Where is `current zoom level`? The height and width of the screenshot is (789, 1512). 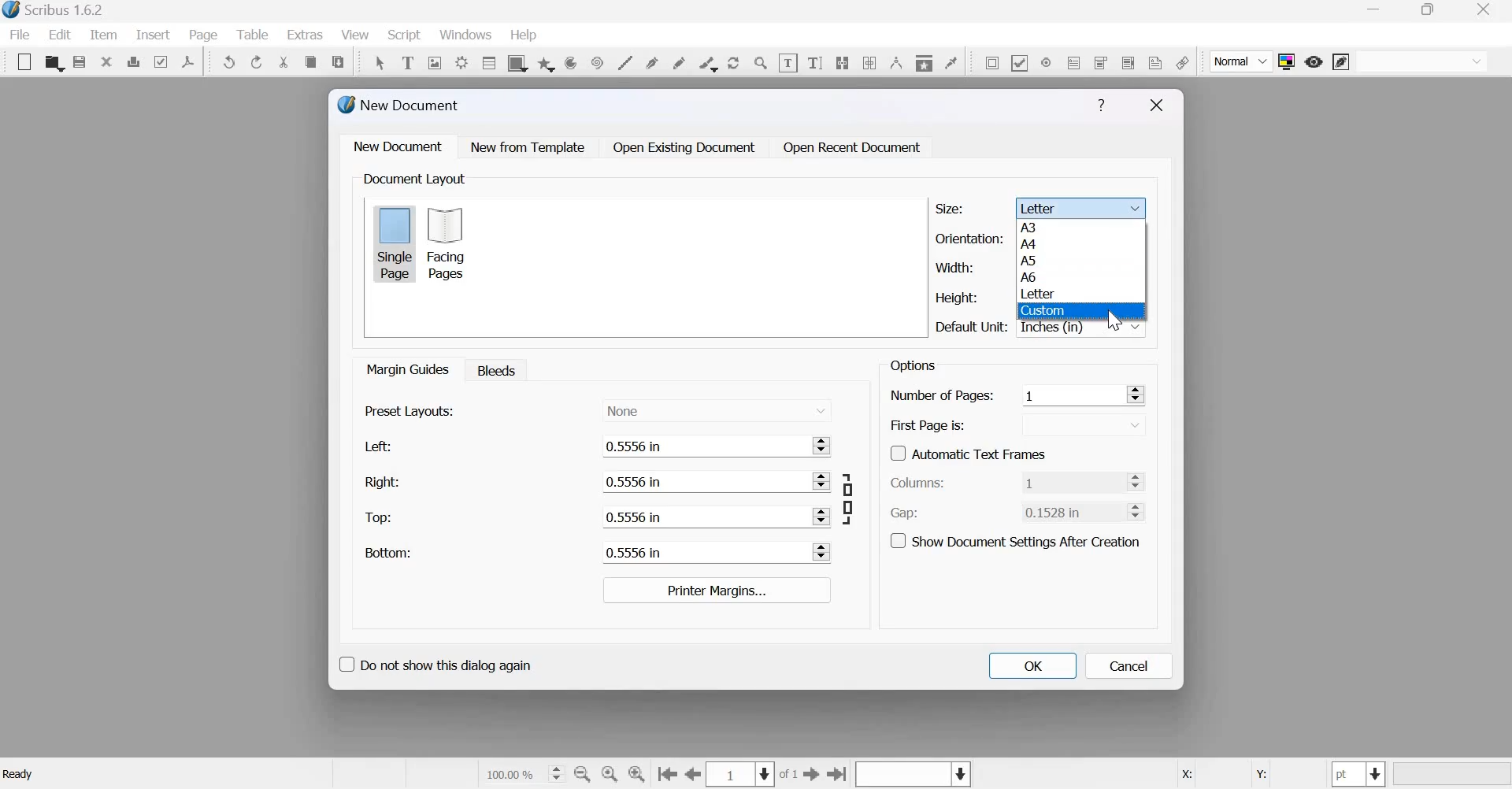 current zoom level is located at coordinates (523, 773).